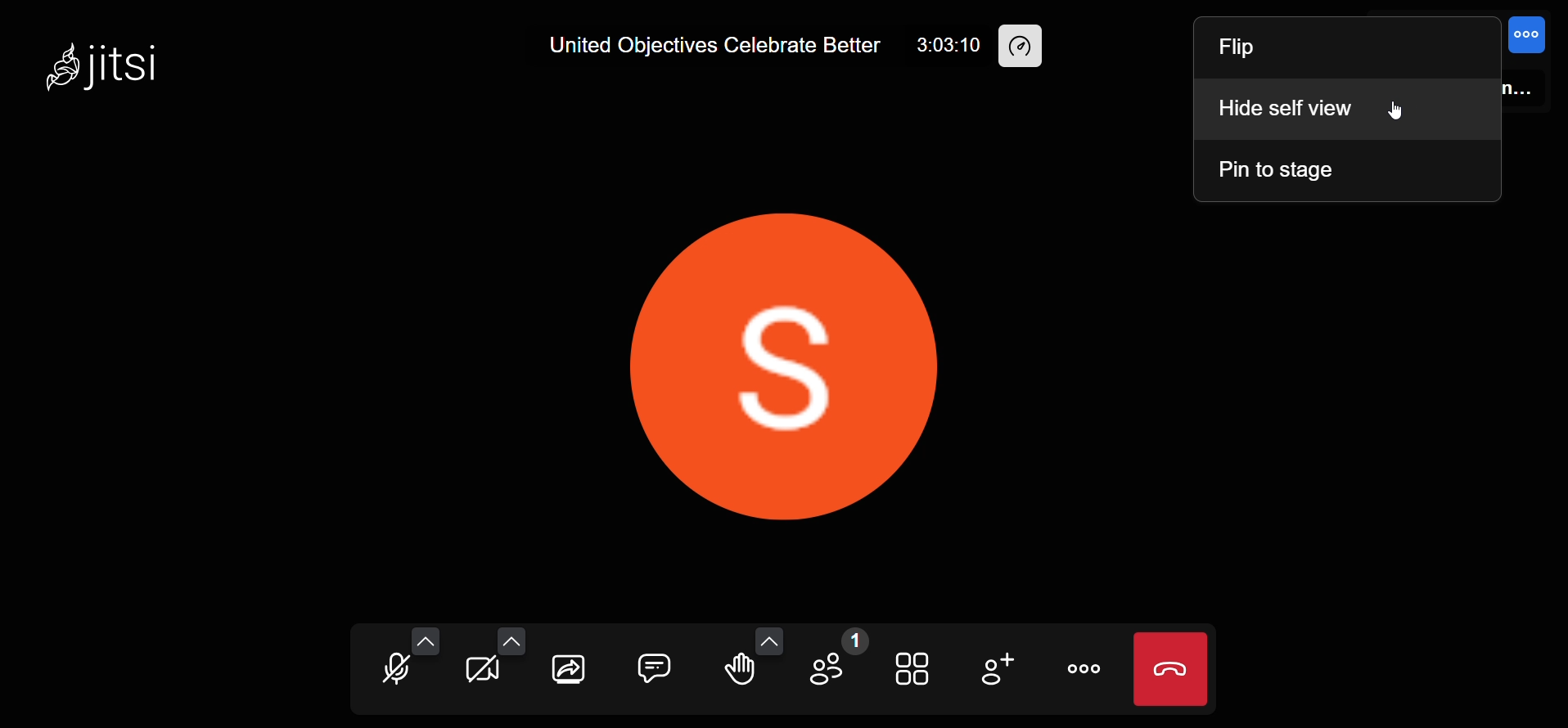 This screenshot has height=728, width=1568. Describe the element at coordinates (511, 640) in the screenshot. I see `more video option` at that location.